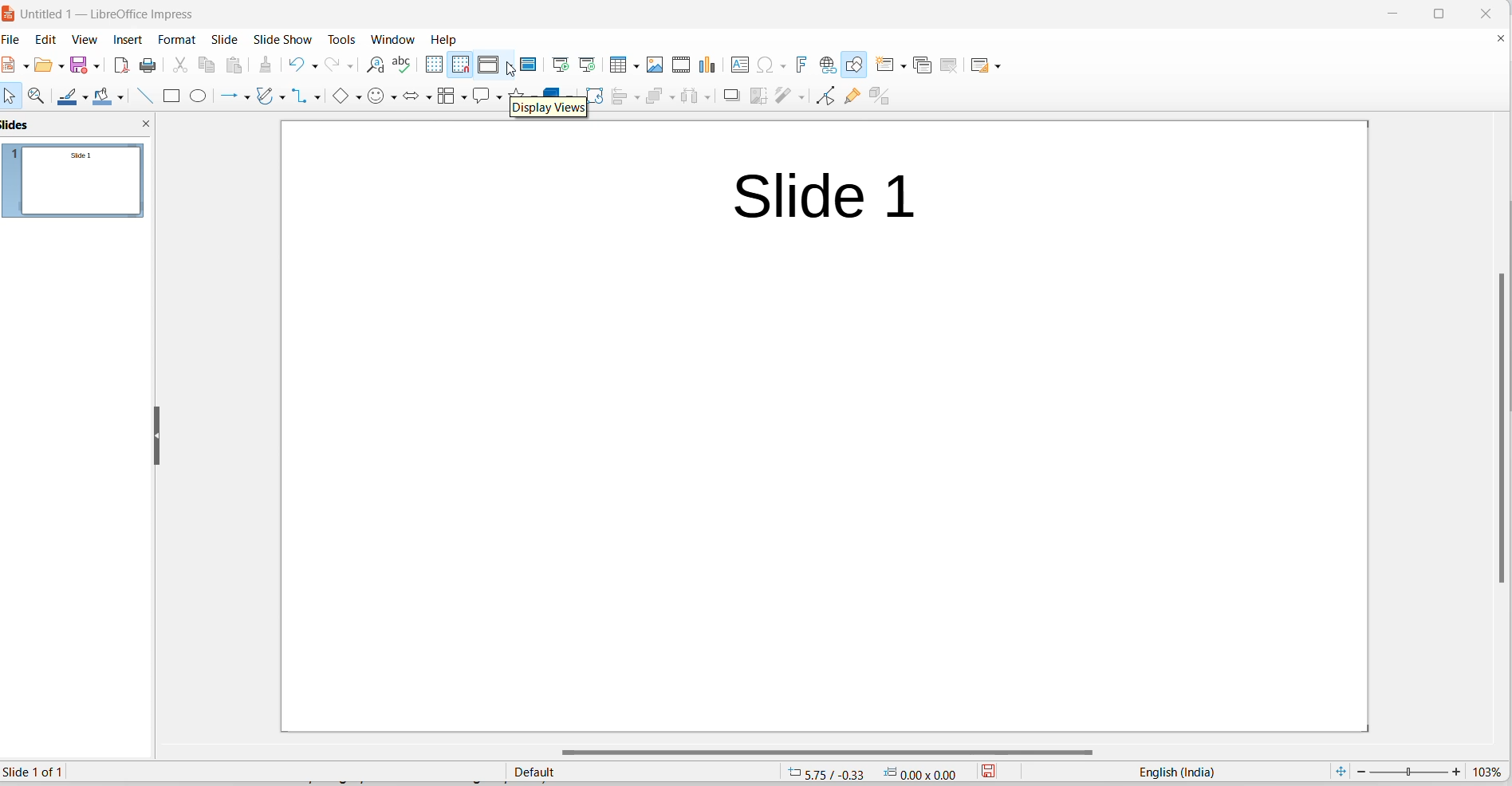  What do you see at coordinates (344, 39) in the screenshot?
I see `tools` at bounding box center [344, 39].